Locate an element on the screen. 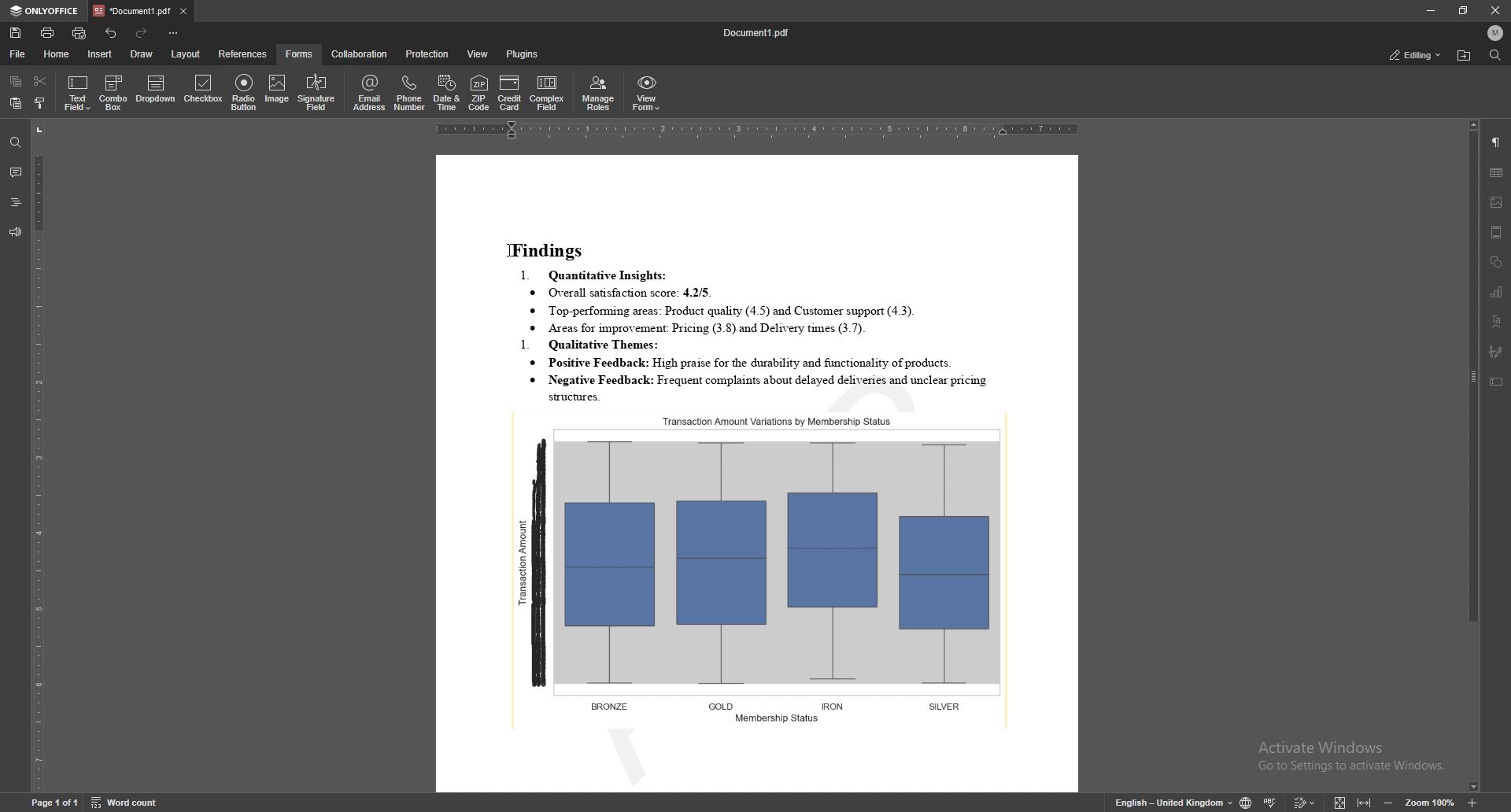 Image resolution: width=1511 pixels, height=812 pixels. heading is located at coordinates (16, 203).